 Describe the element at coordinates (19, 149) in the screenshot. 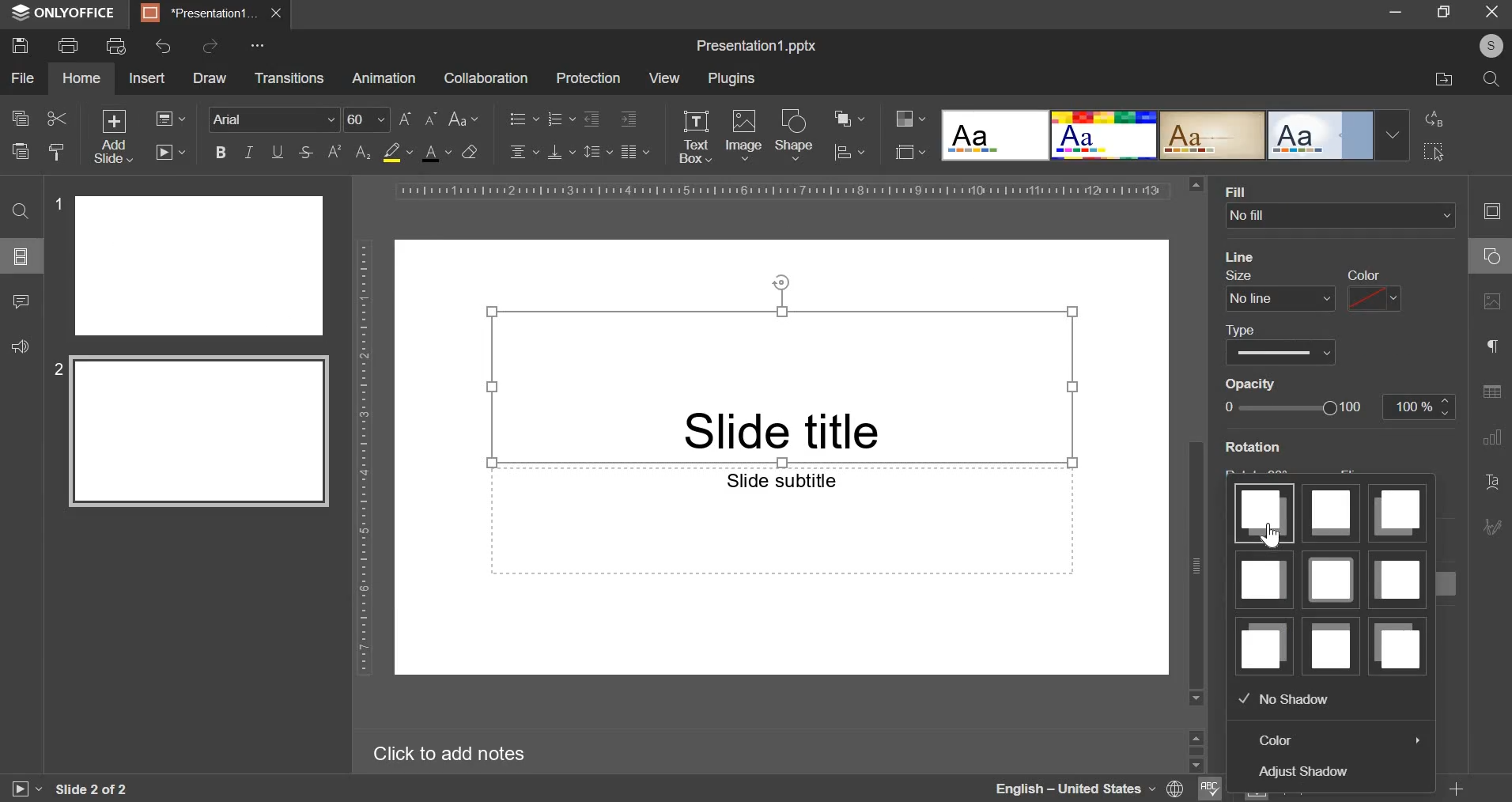

I see `paste` at that location.